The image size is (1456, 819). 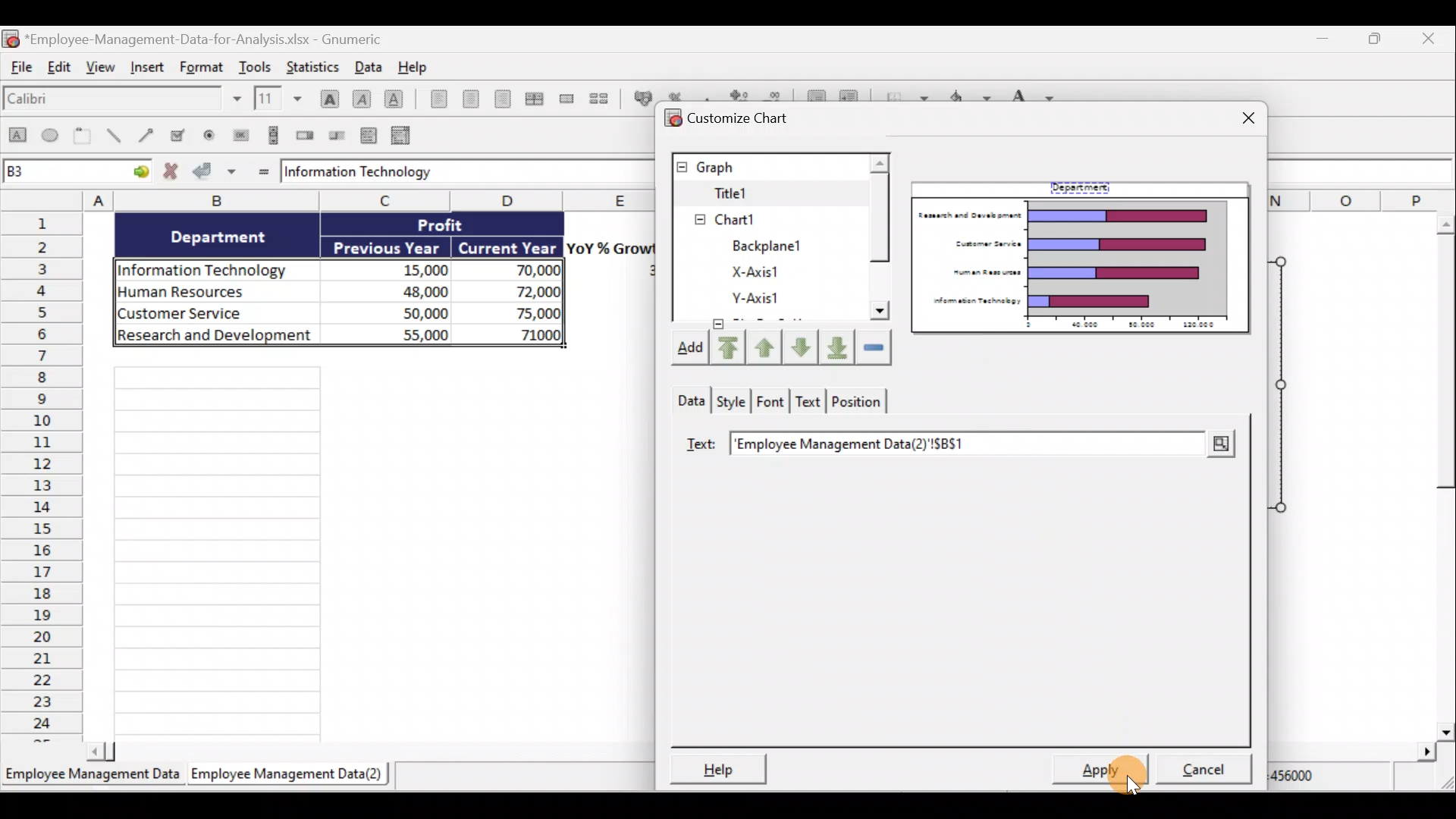 I want to click on Chart1, so click(x=741, y=192).